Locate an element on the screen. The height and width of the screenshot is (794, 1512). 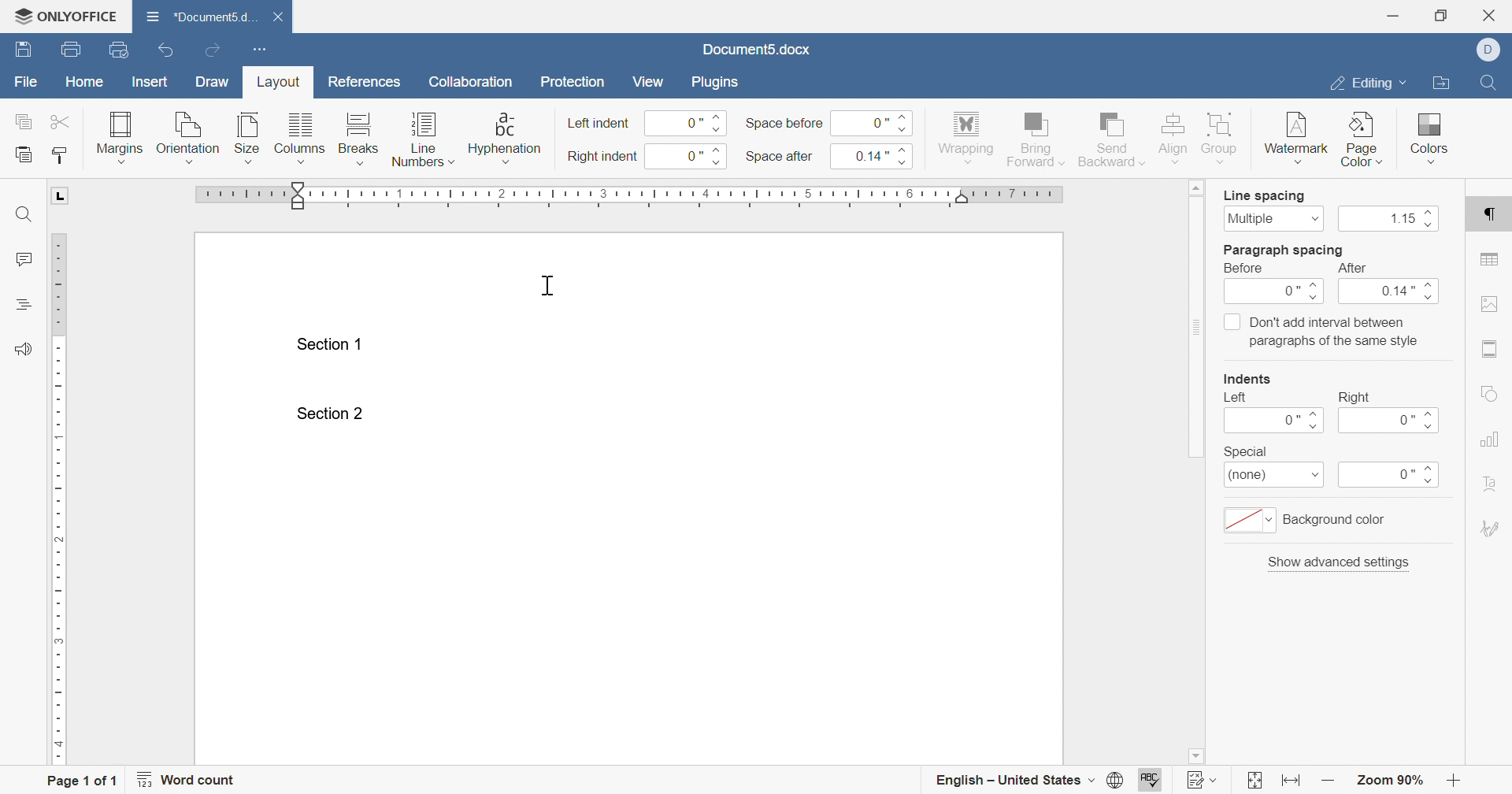
english - united states is located at coordinates (1028, 781).